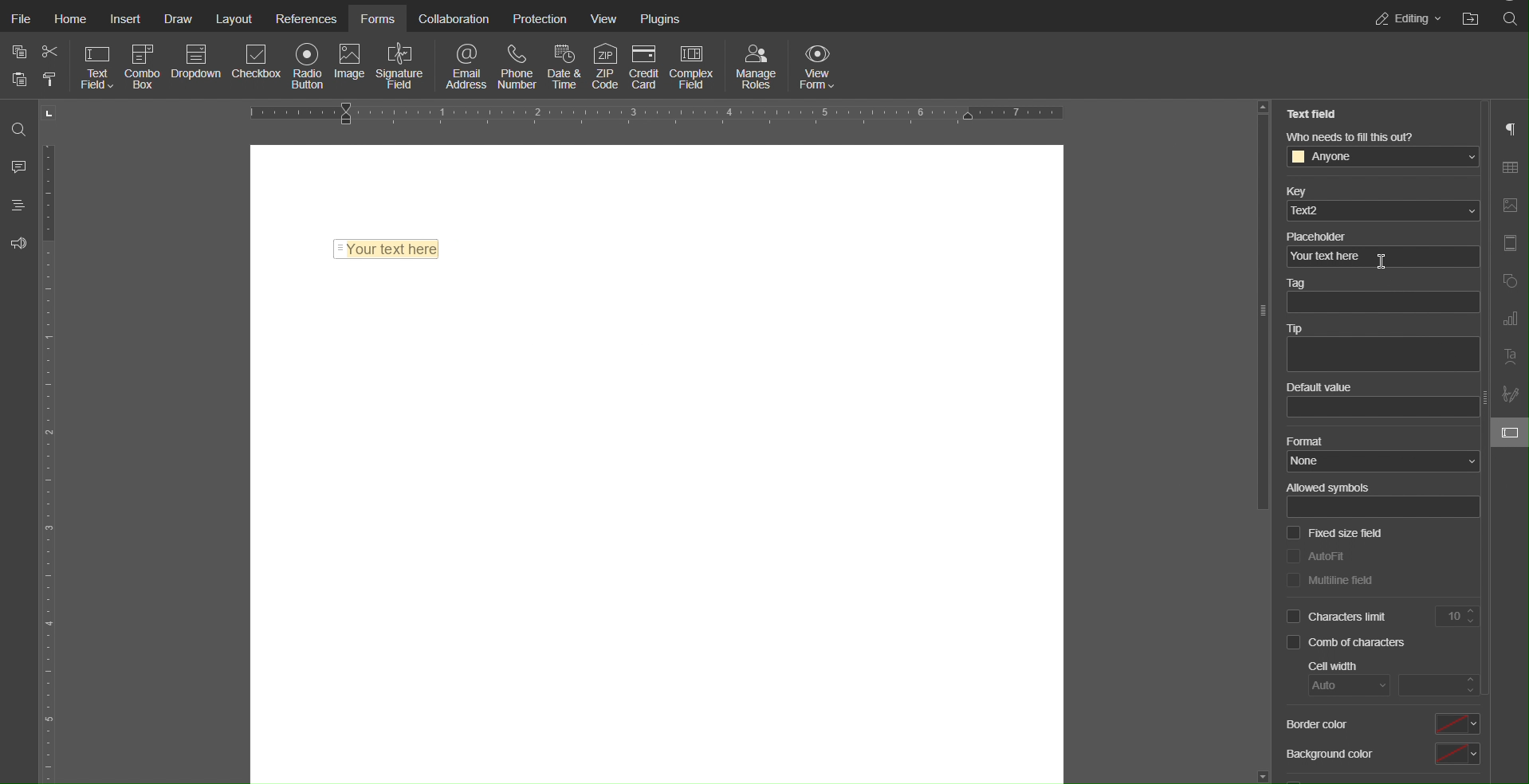 The width and height of the screenshot is (1529, 784). I want to click on Plugins, so click(660, 19).